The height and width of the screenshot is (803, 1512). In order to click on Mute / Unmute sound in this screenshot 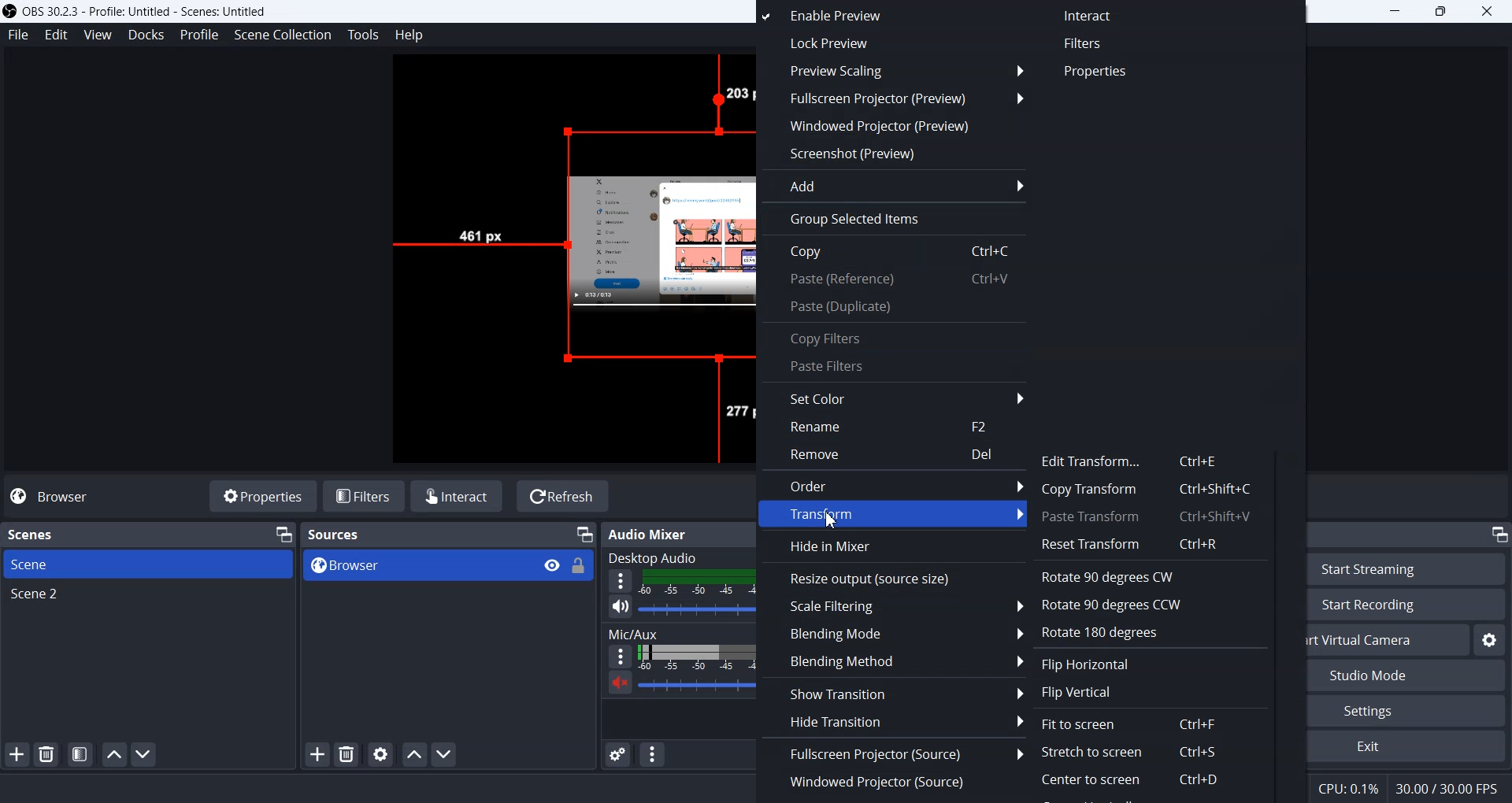, I will do `click(610, 685)`.